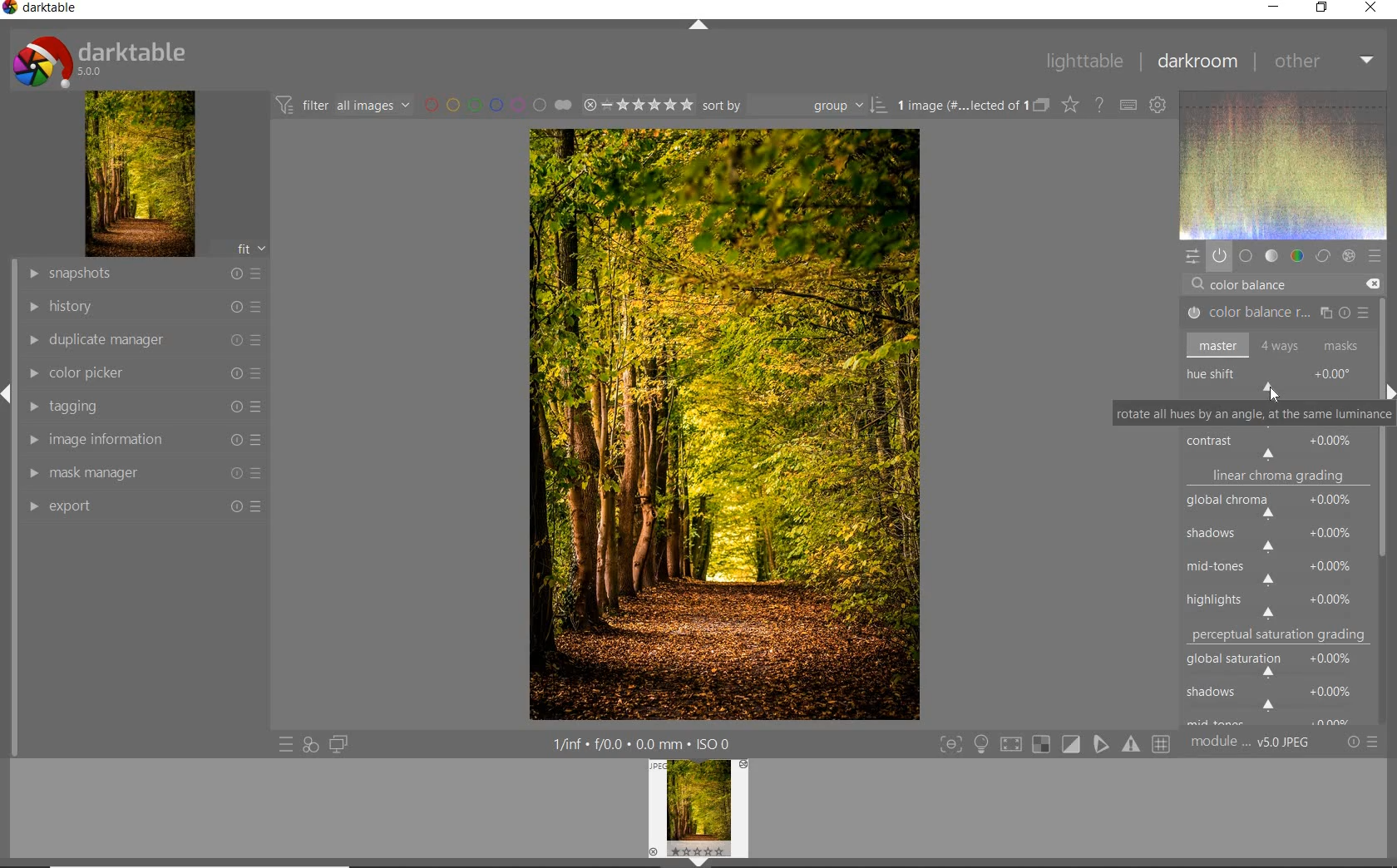  What do you see at coordinates (1361, 742) in the screenshot?
I see `reset or preset & preference` at bounding box center [1361, 742].